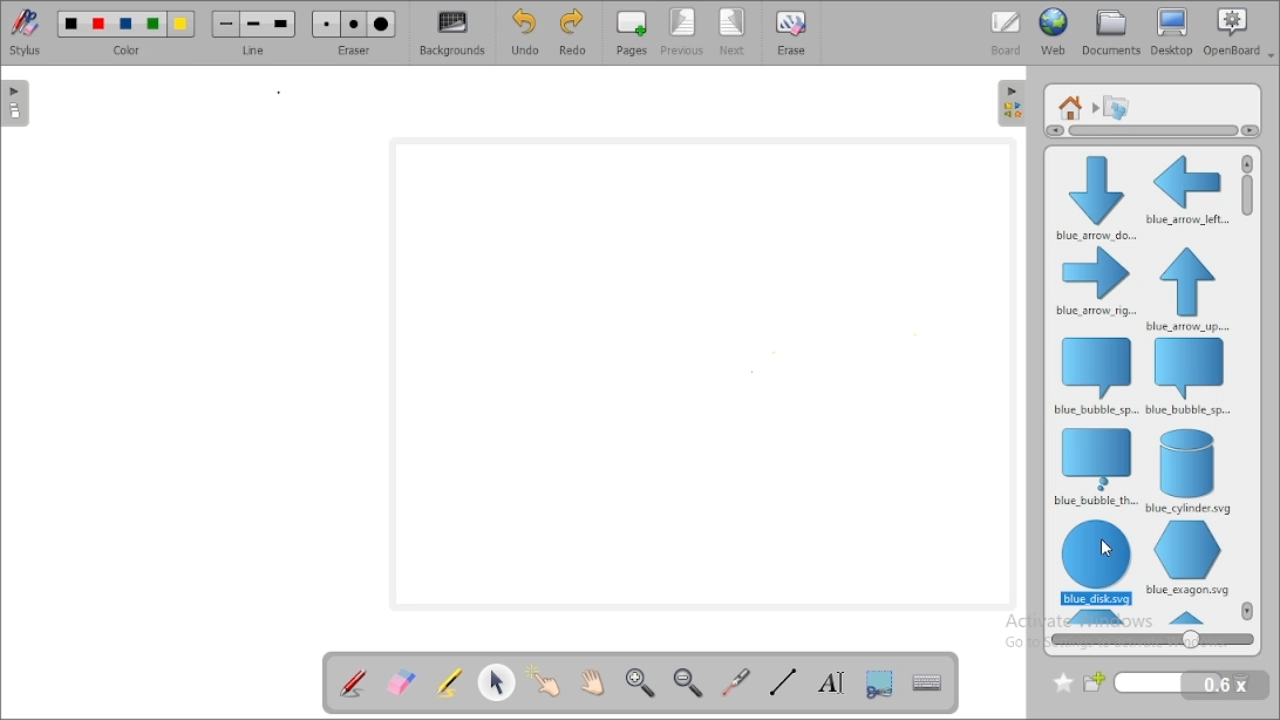  I want to click on stylus, so click(25, 32).